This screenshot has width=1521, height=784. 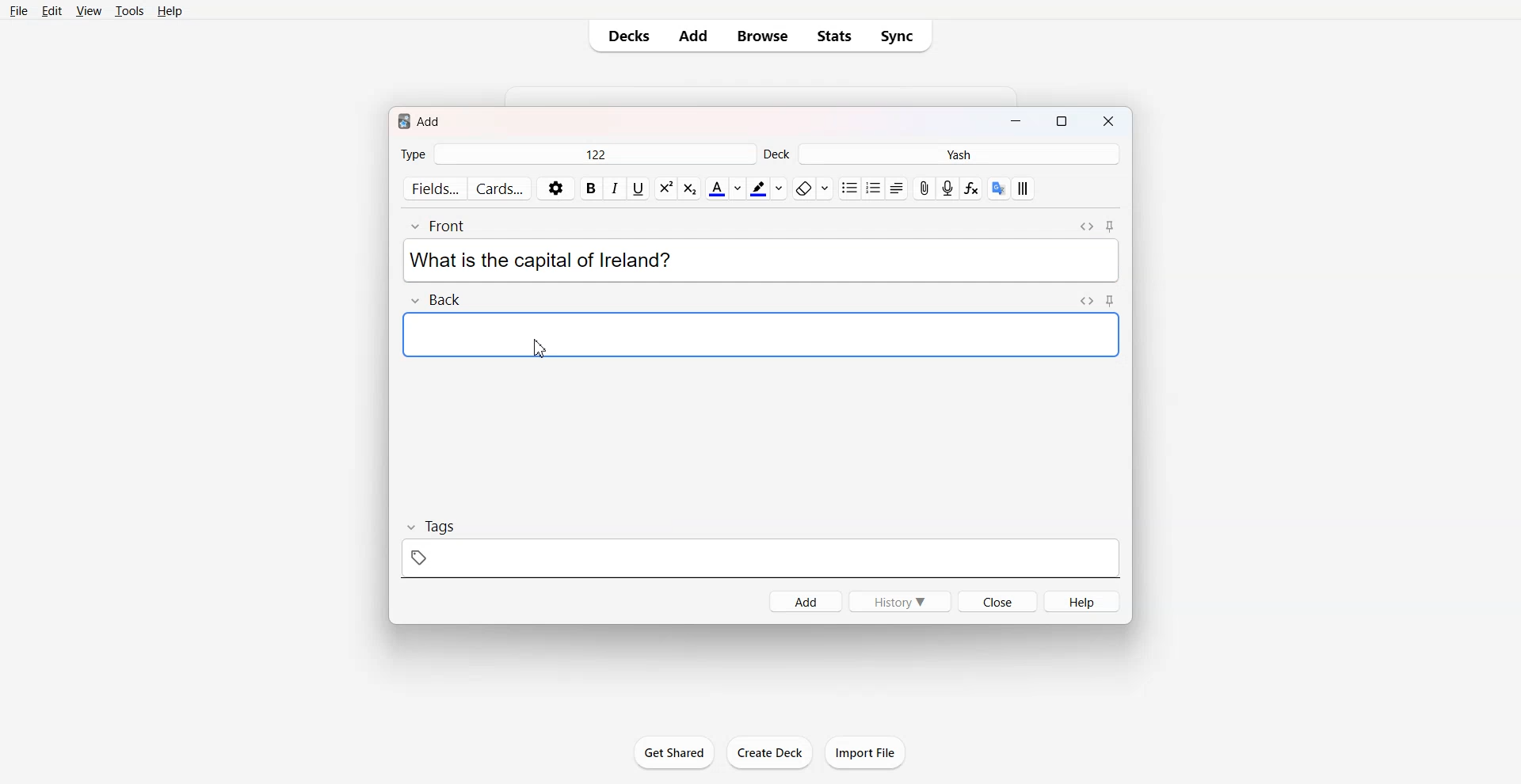 I want to click on View, so click(x=89, y=12).